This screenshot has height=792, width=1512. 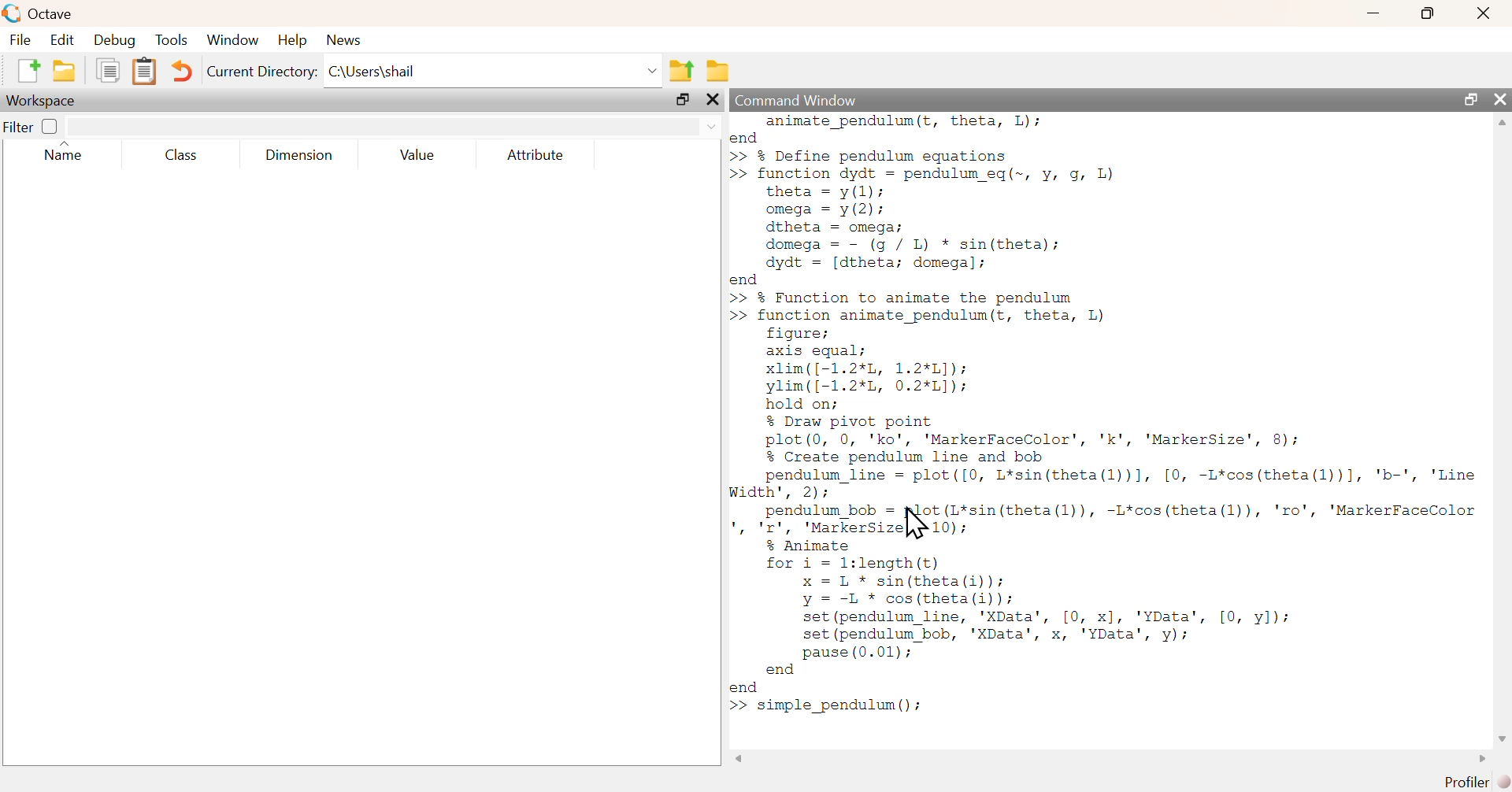 What do you see at coordinates (61, 39) in the screenshot?
I see `Edit` at bounding box center [61, 39].